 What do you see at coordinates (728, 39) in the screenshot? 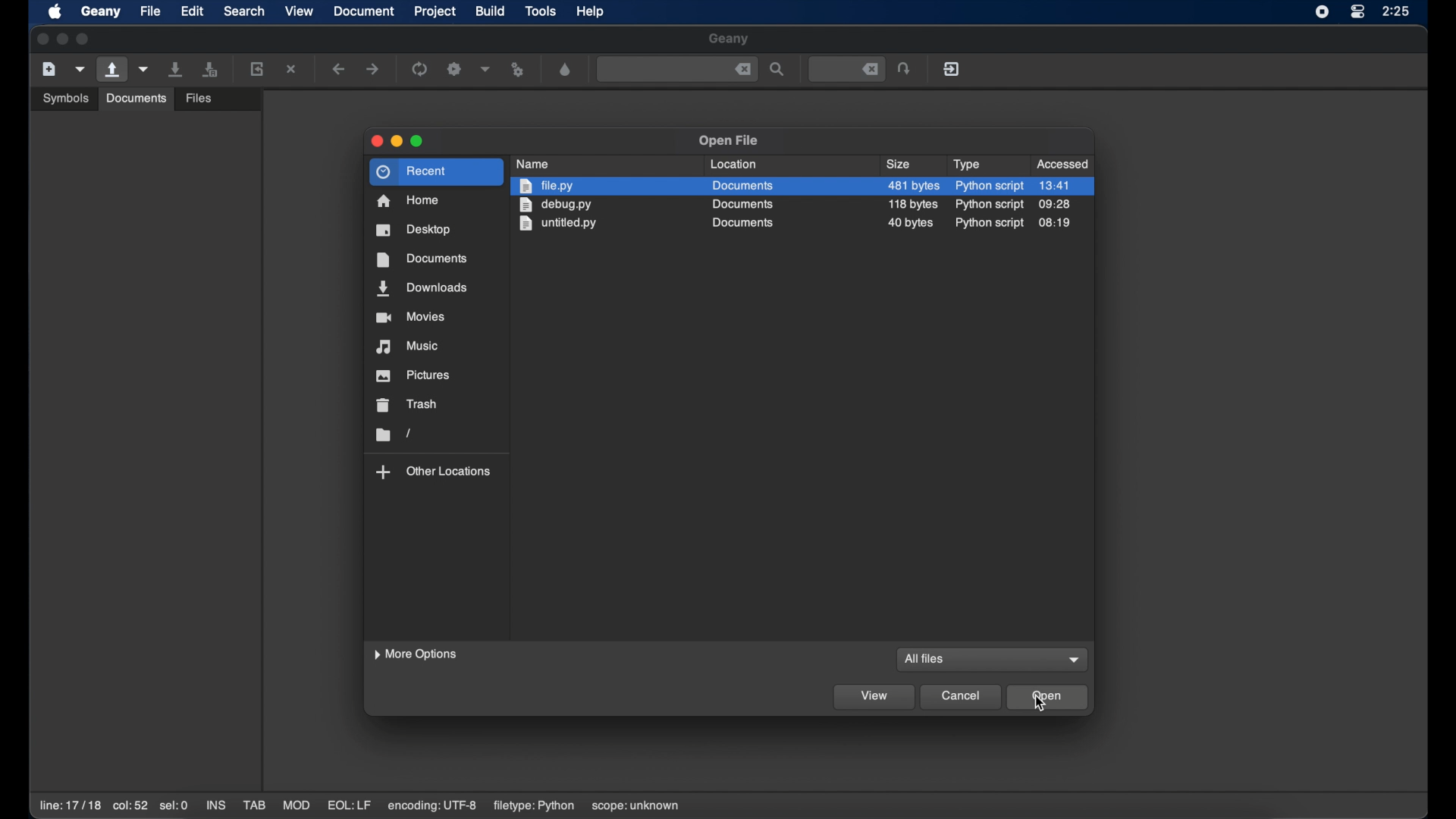
I see `geany` at bounding box center [728, 39].